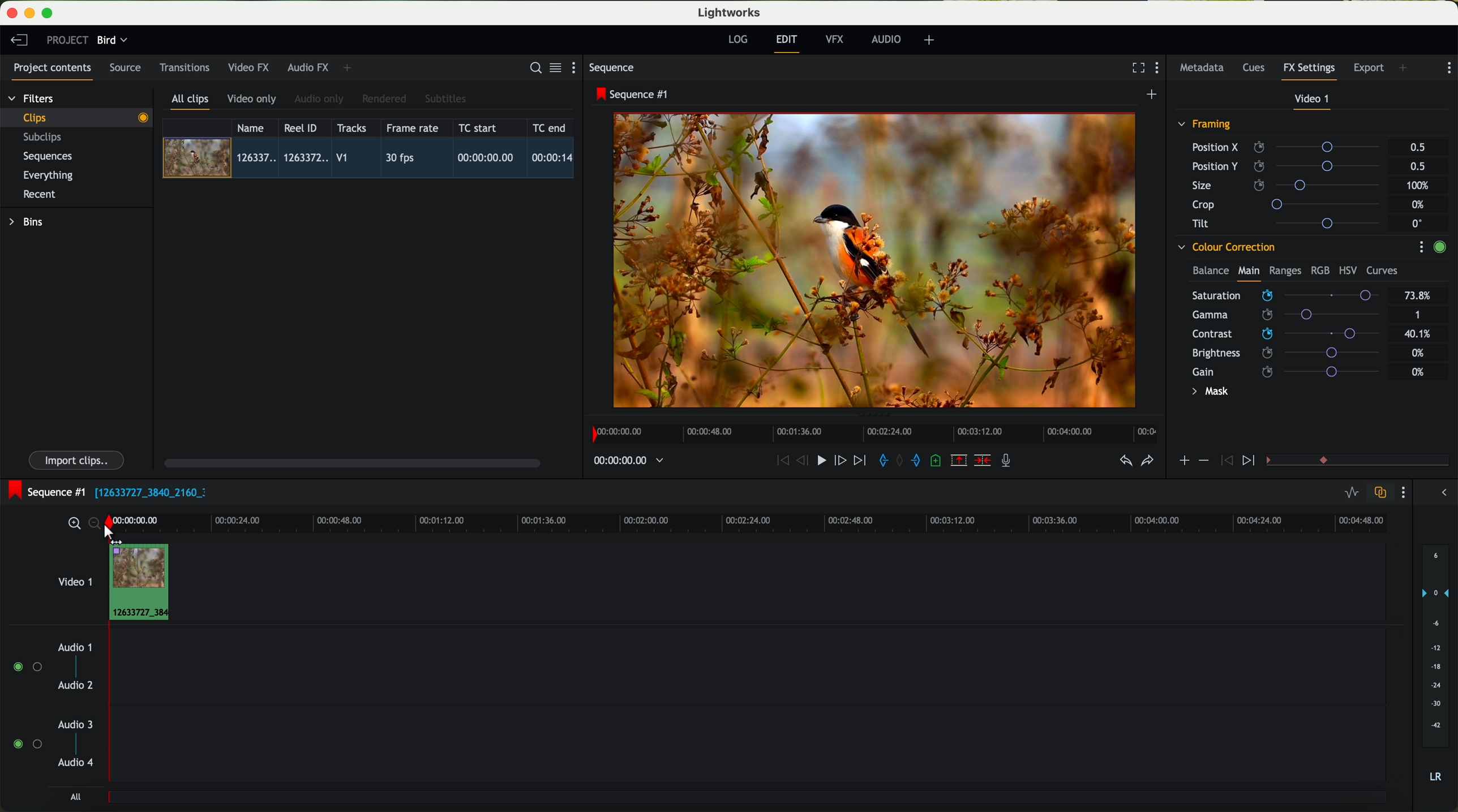  I want to click on add a cue at the current position, so click(937, 461).